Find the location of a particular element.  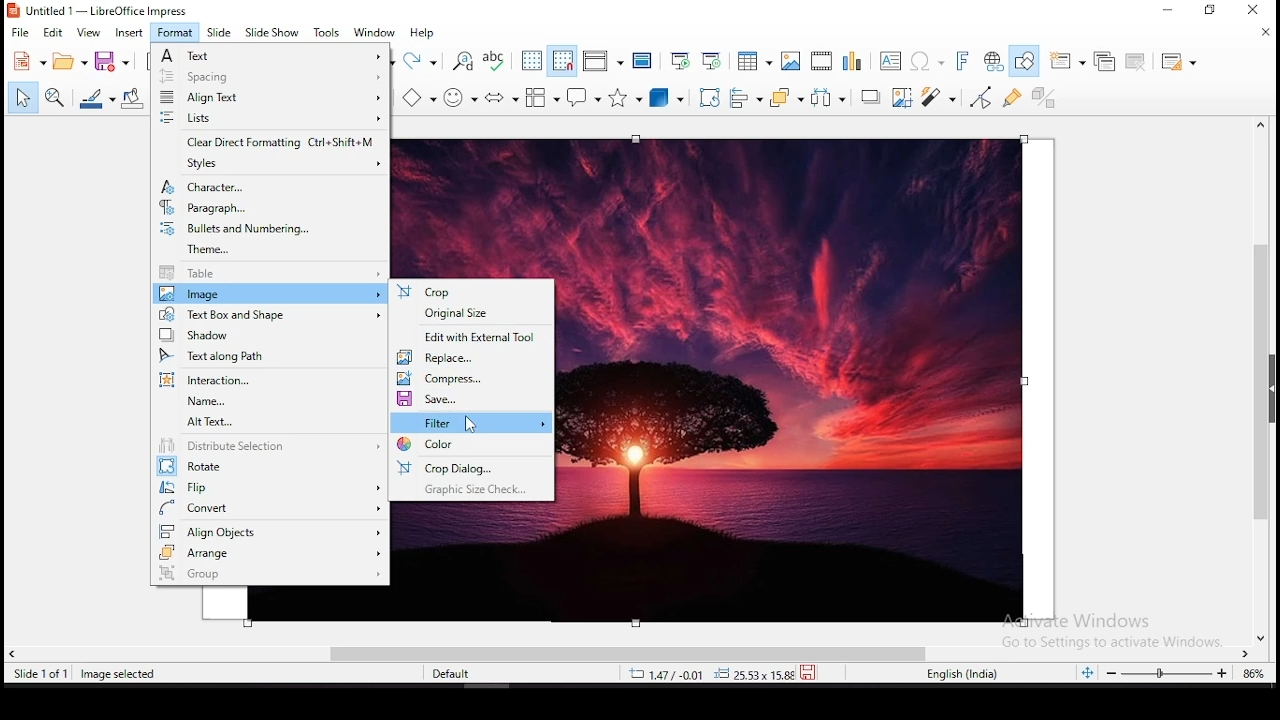

toggle extrusion is located at coordinates (1045, 95).